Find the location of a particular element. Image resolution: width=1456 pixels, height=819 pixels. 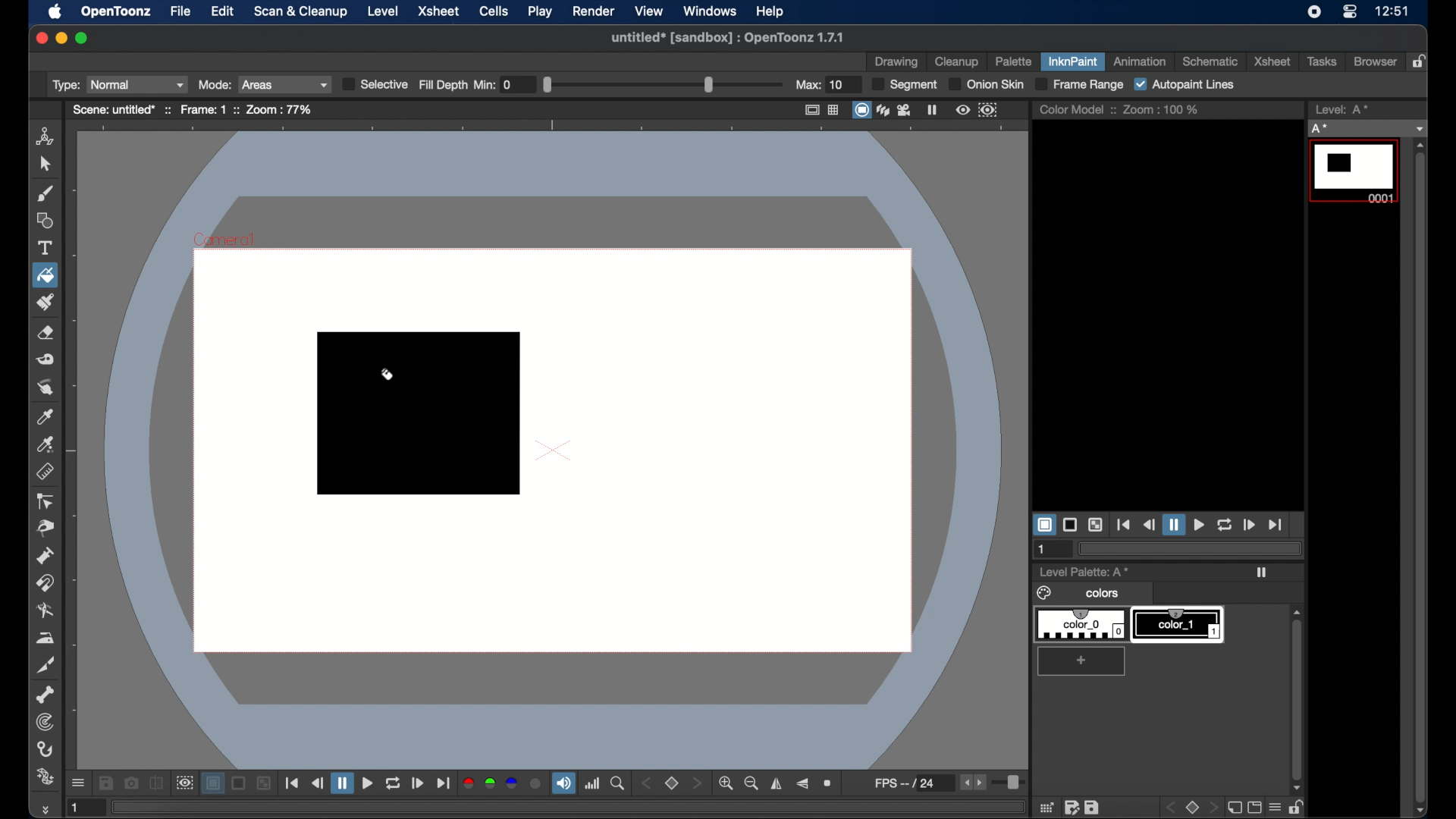

scroll down arrow is located at coordinates (1425, 811).